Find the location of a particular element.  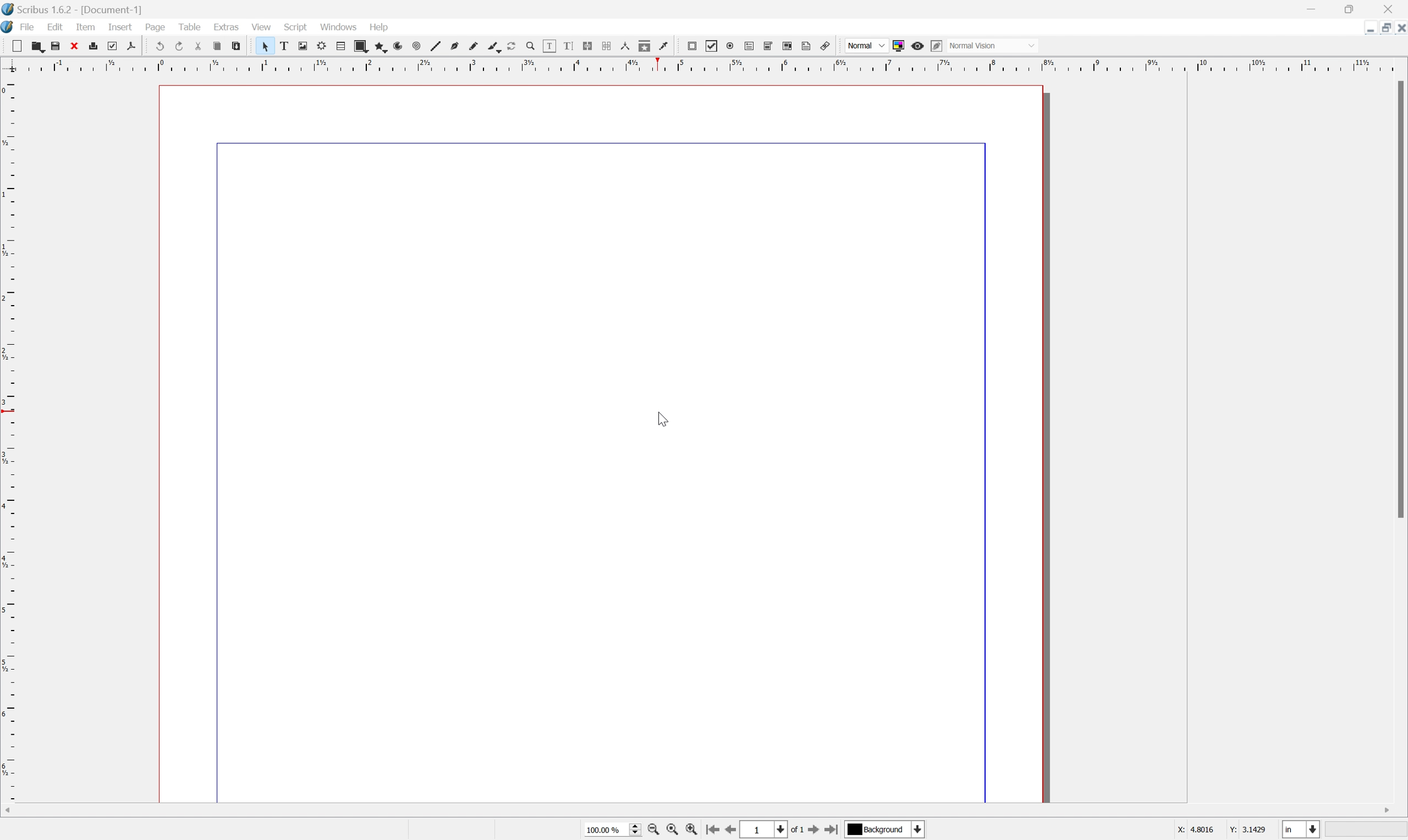

select current layer is located at coordinates (883, 829).